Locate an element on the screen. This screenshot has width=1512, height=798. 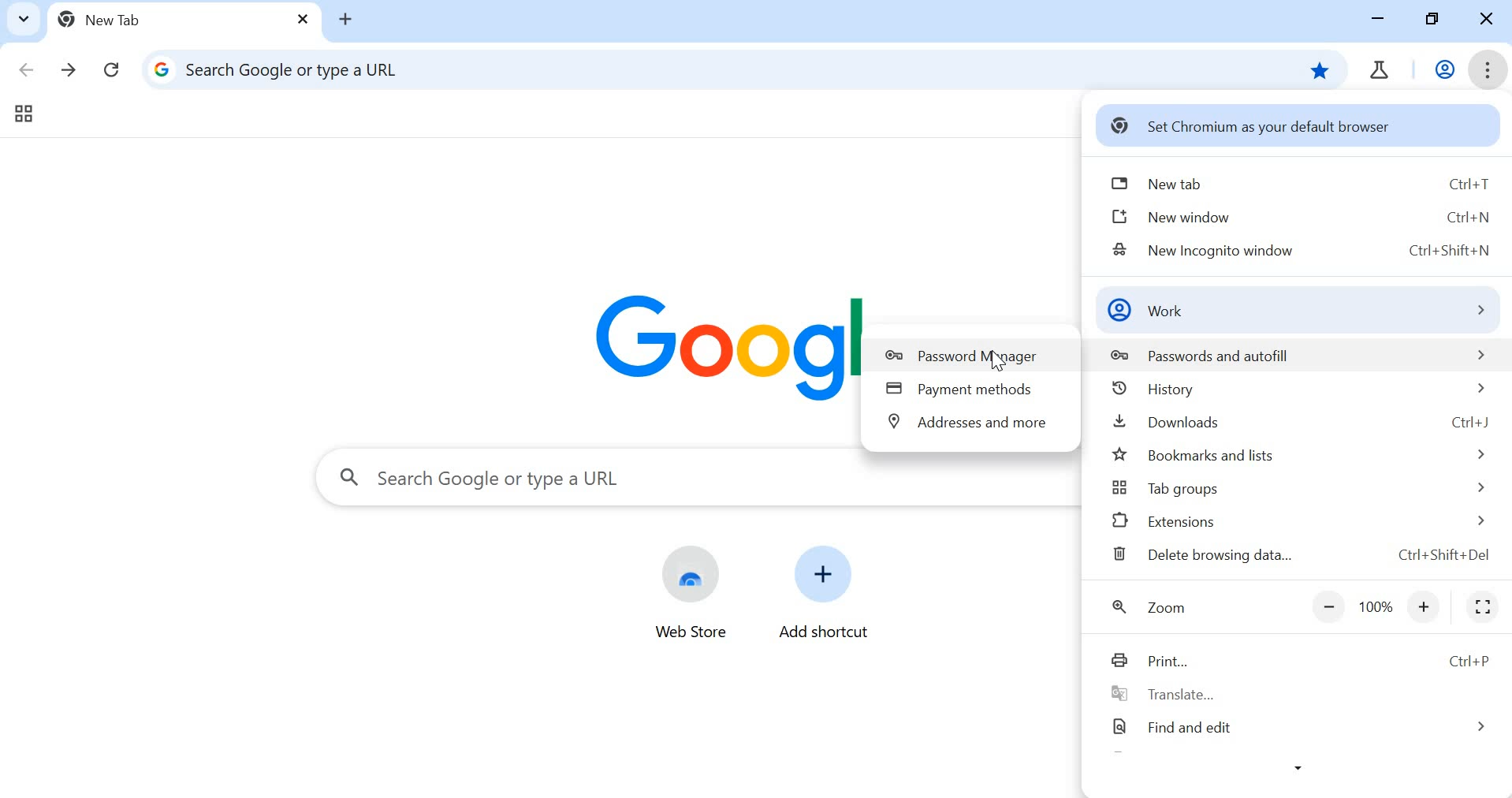
find and edit is located at coordinates (1295, 727).